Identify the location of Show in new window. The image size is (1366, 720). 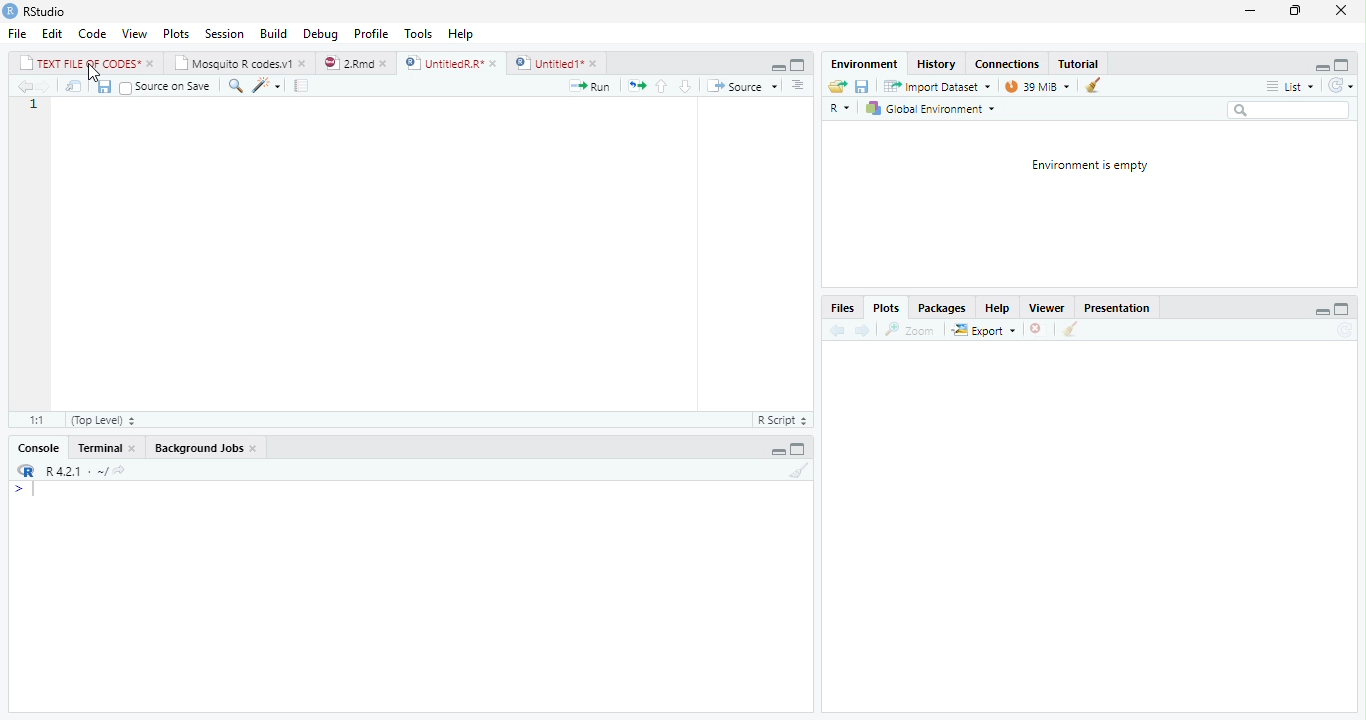
(70, 86).